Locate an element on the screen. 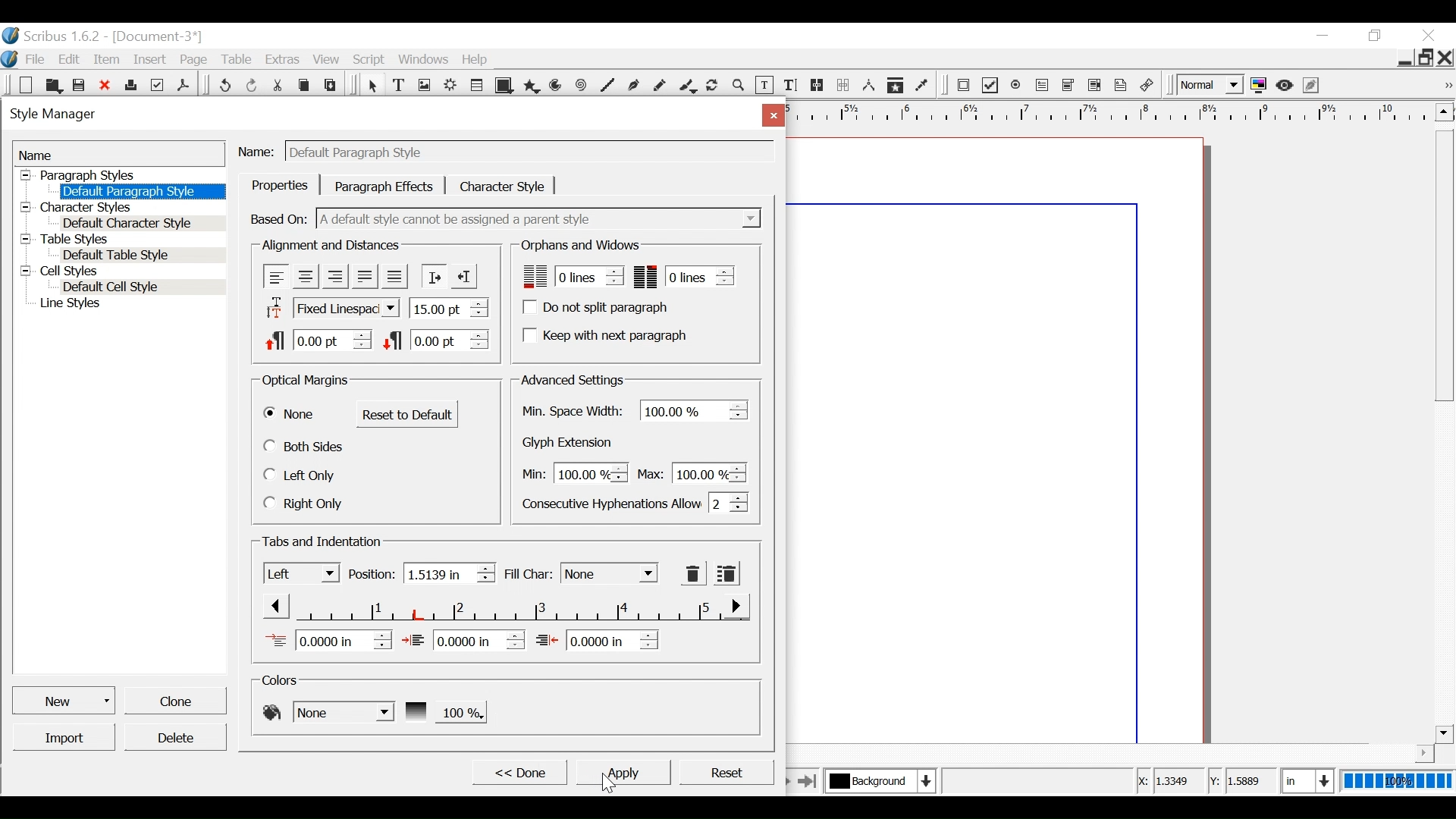  Expressed as a percentage of the white space is located at coordinates (695, 409).